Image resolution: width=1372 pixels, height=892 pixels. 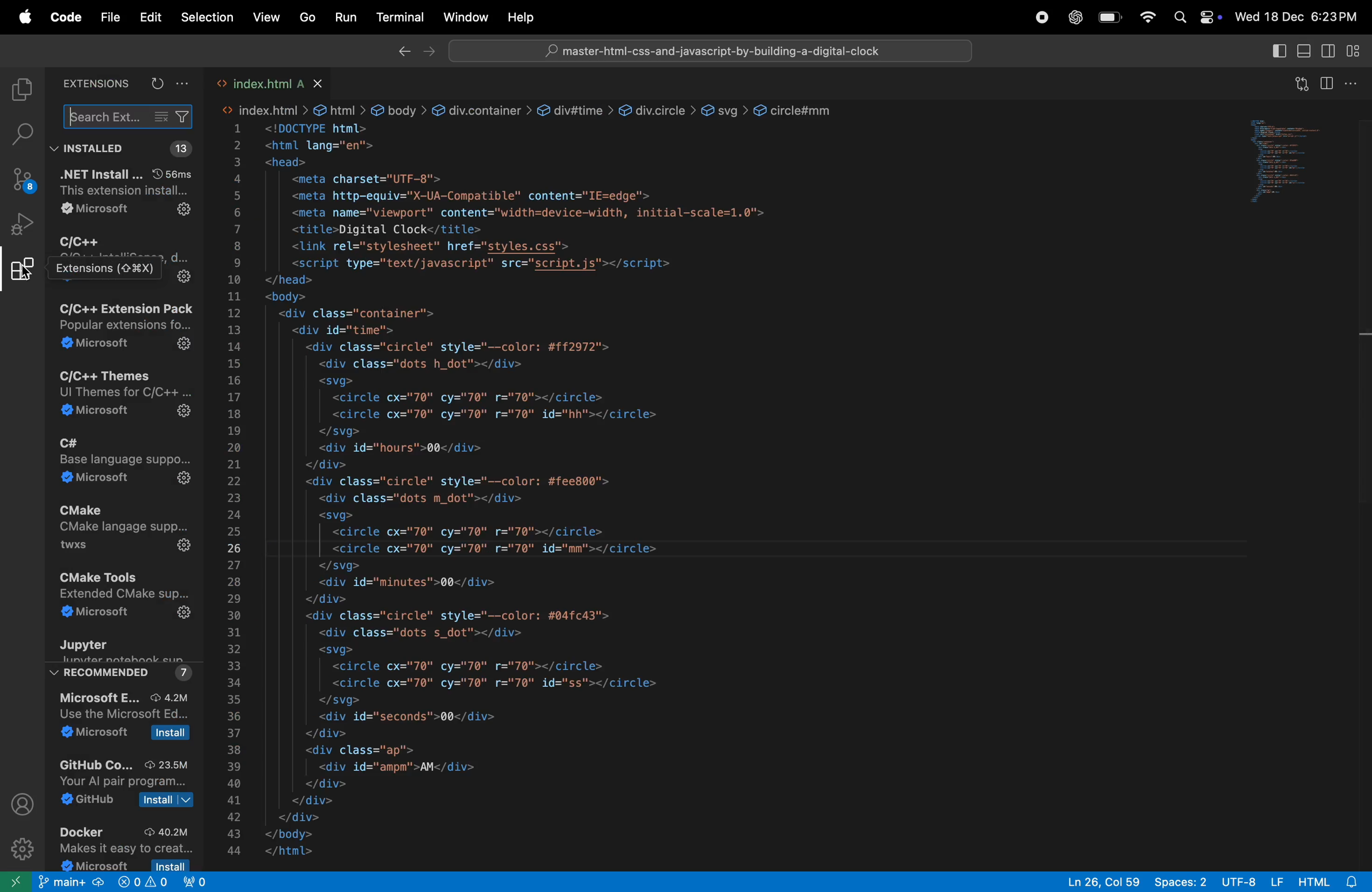 I want to click on apple menu, so click(x=21, y=17).